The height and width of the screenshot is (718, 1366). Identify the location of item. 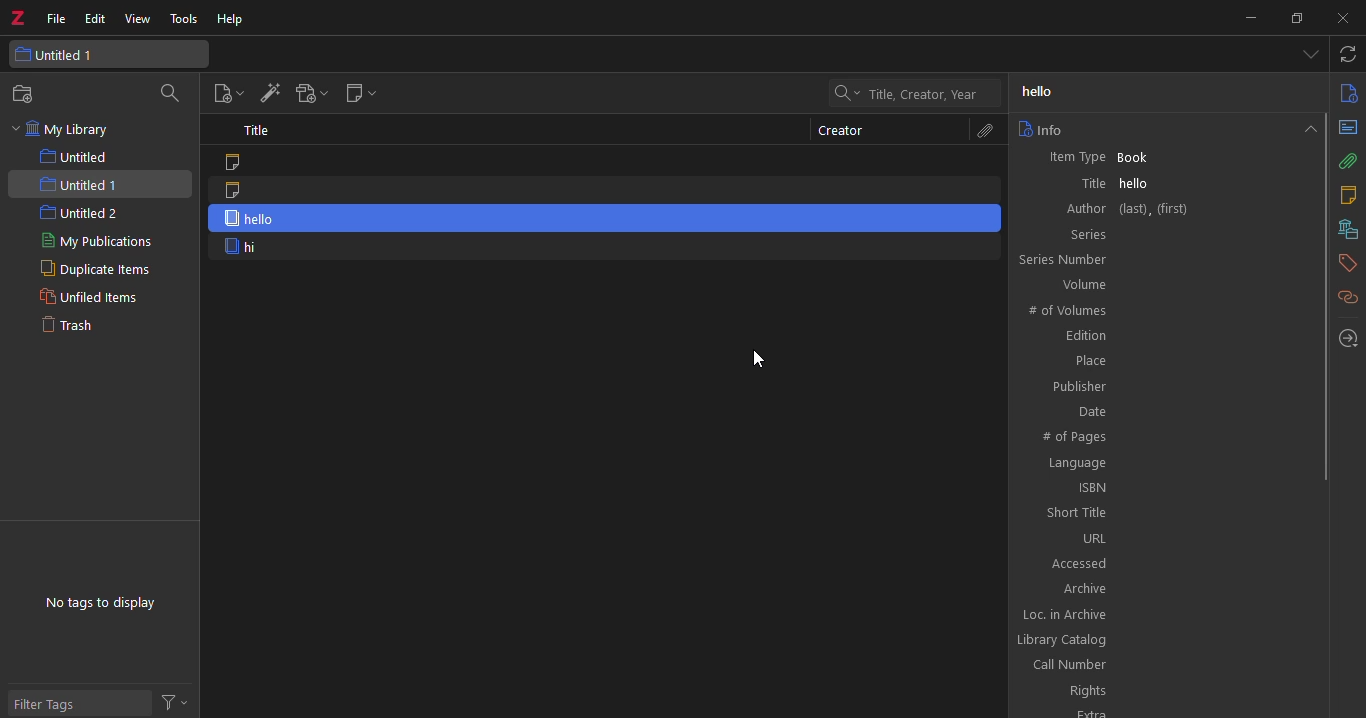
(603, 248).